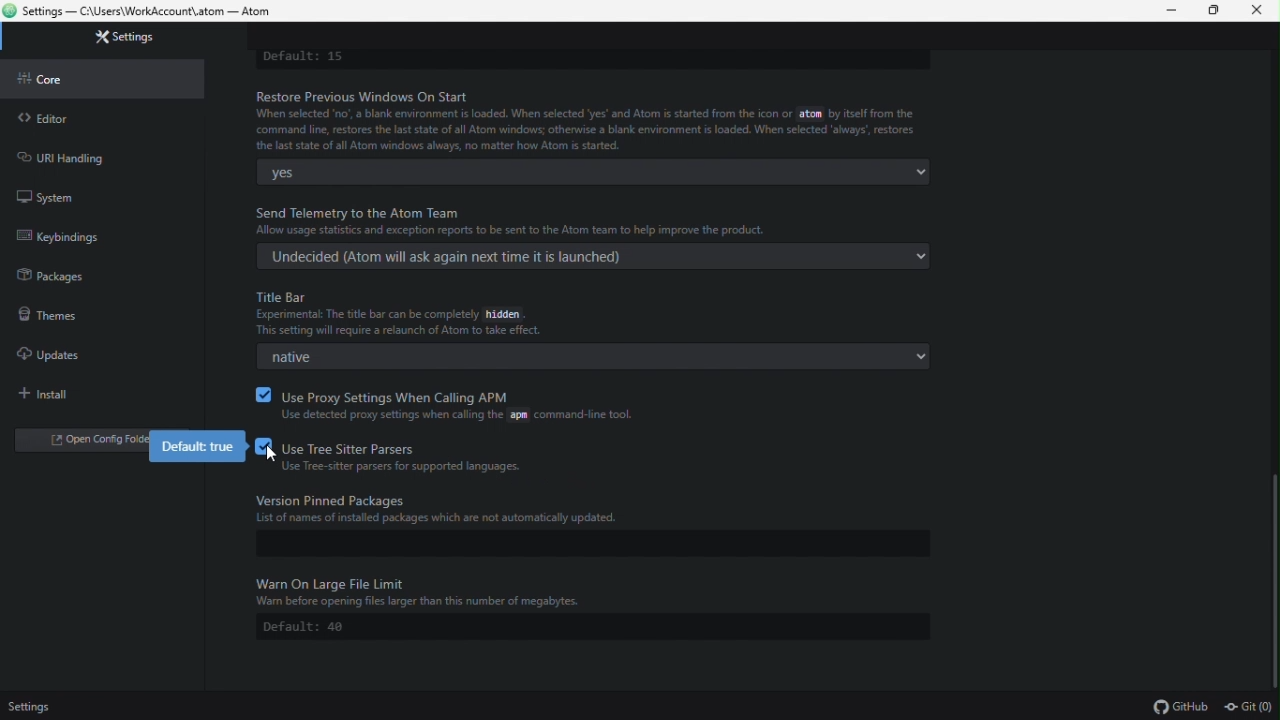  Describe the element at coordinates (45, 313) in the screenshot. I see `themes` at that location.